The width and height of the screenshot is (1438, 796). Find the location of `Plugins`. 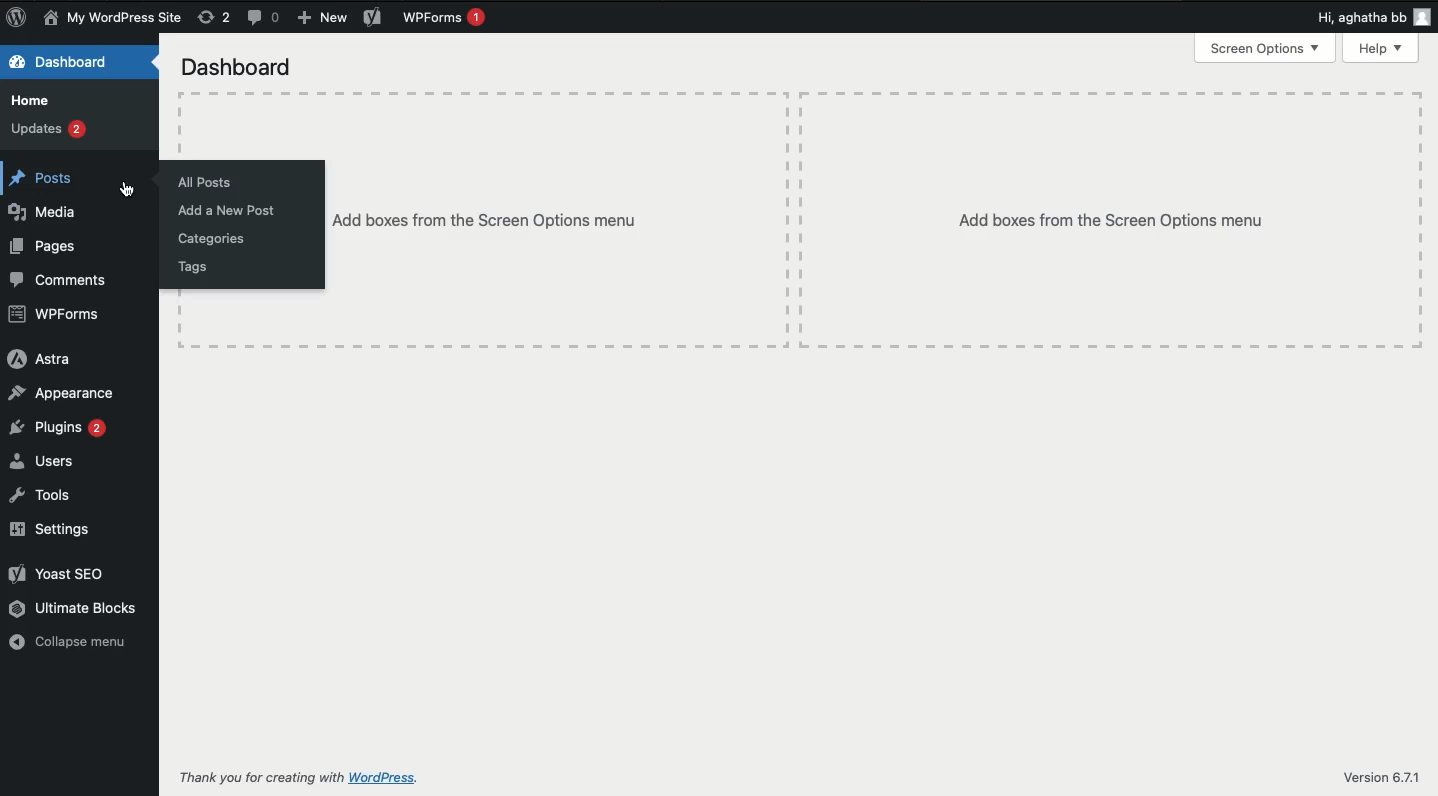

Plugins is located at coordinates (56, 428).